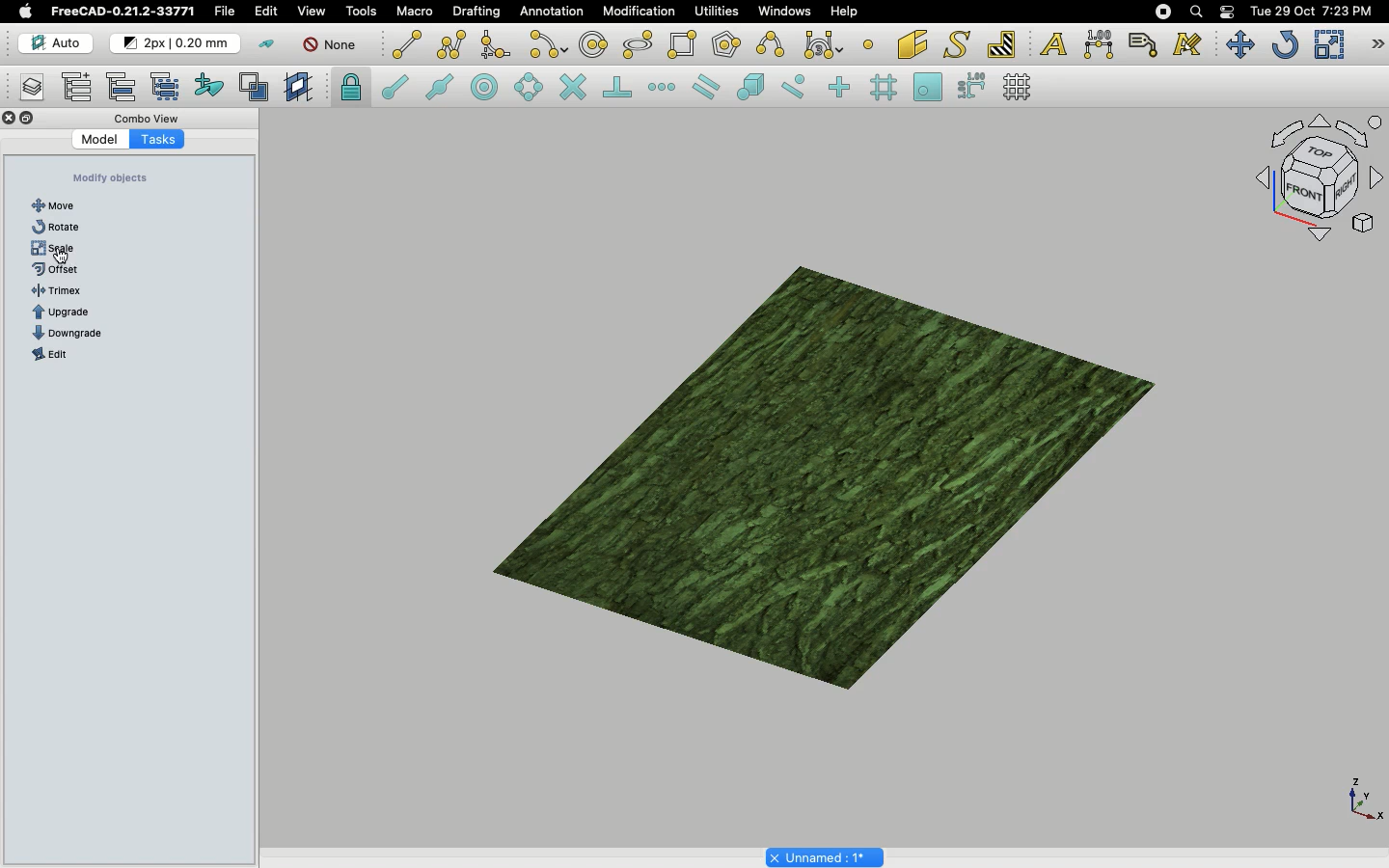 This screenshot has height=868, width=1389. I want to click on View, so click(308, 12).